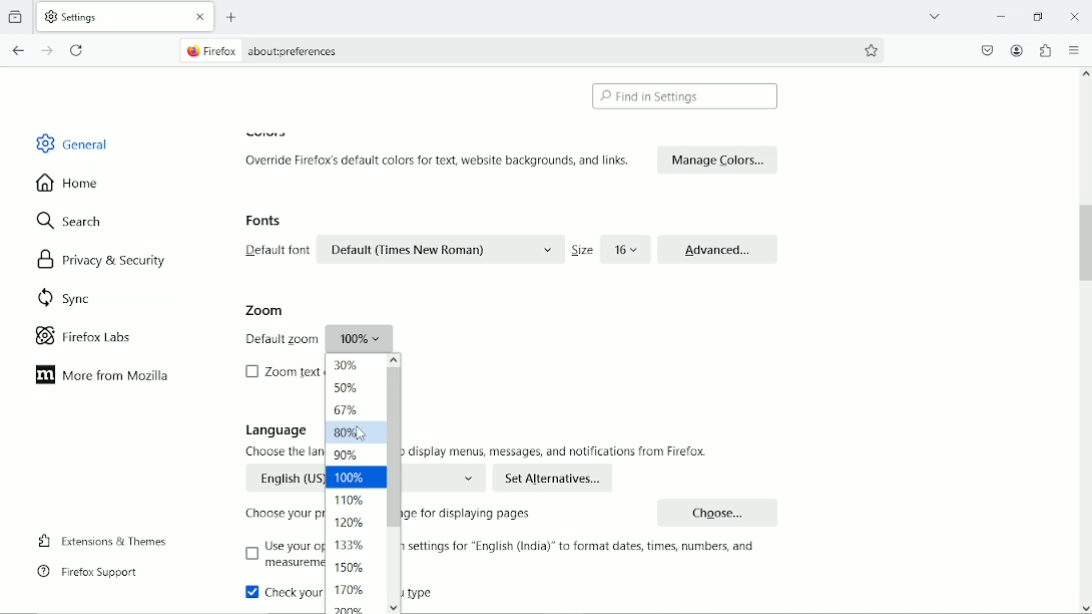  Describe the element at coordinates (1079, 240) in the screenshot. I see `vertical scrollbar` at that location.